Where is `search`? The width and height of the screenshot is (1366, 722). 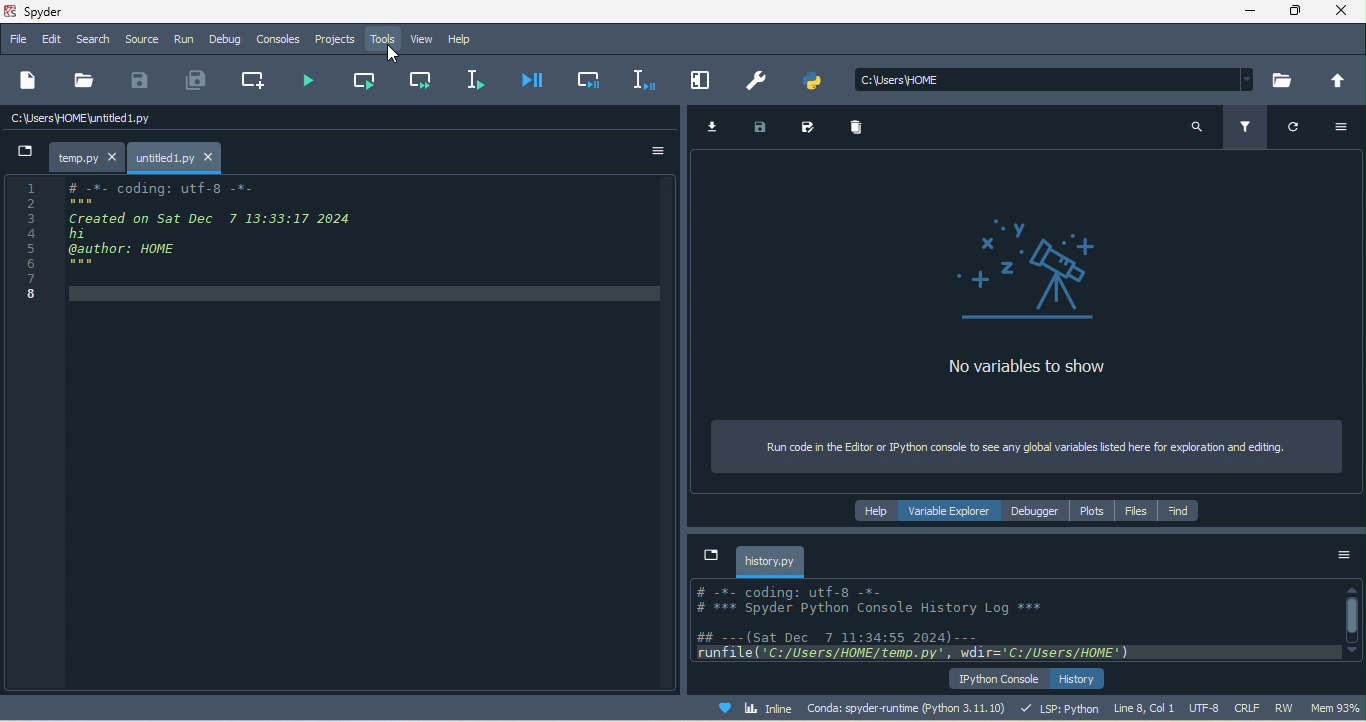 search is located at coordinates (1196, 132).